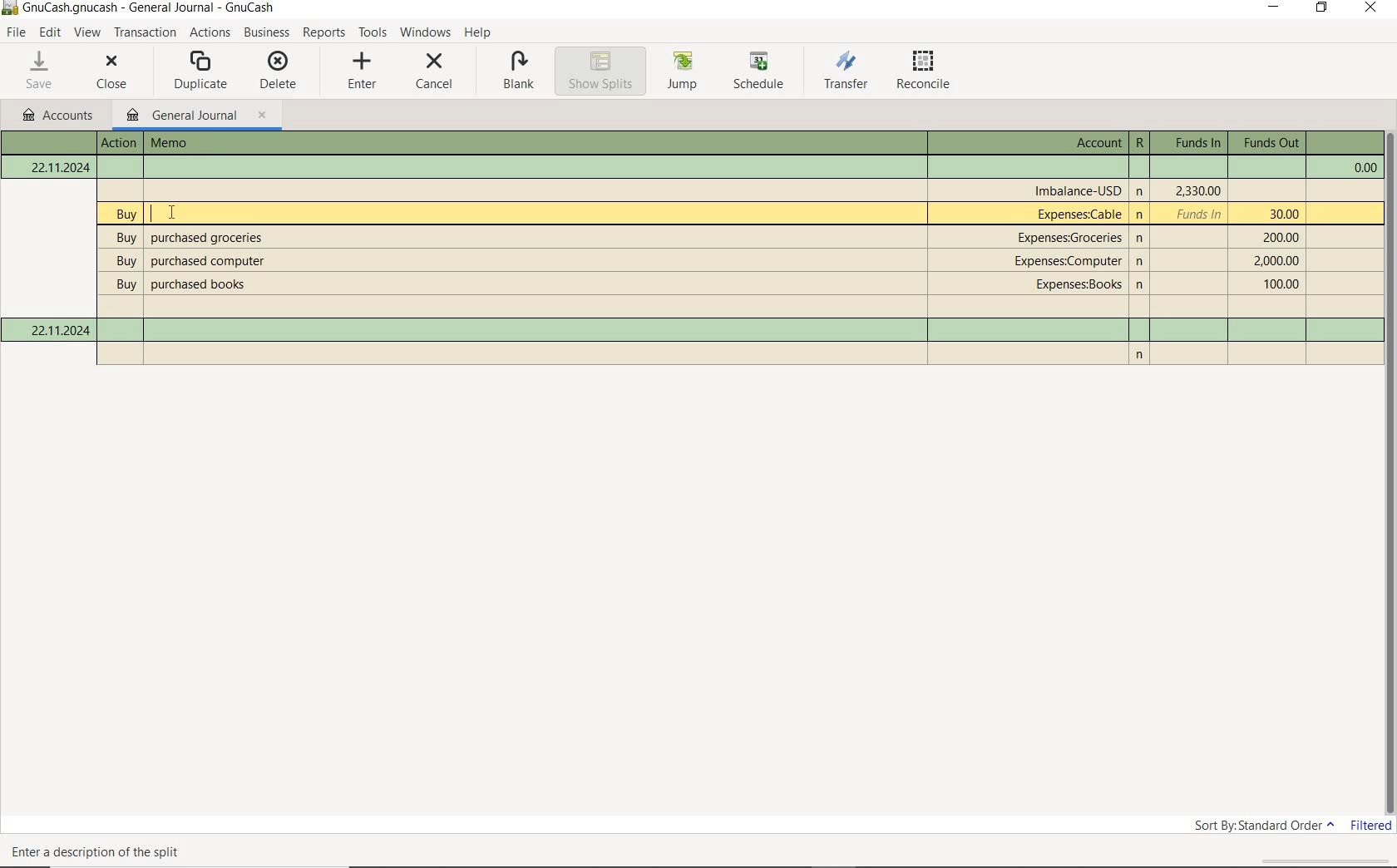  I want to click on blank, so click(515, 72).